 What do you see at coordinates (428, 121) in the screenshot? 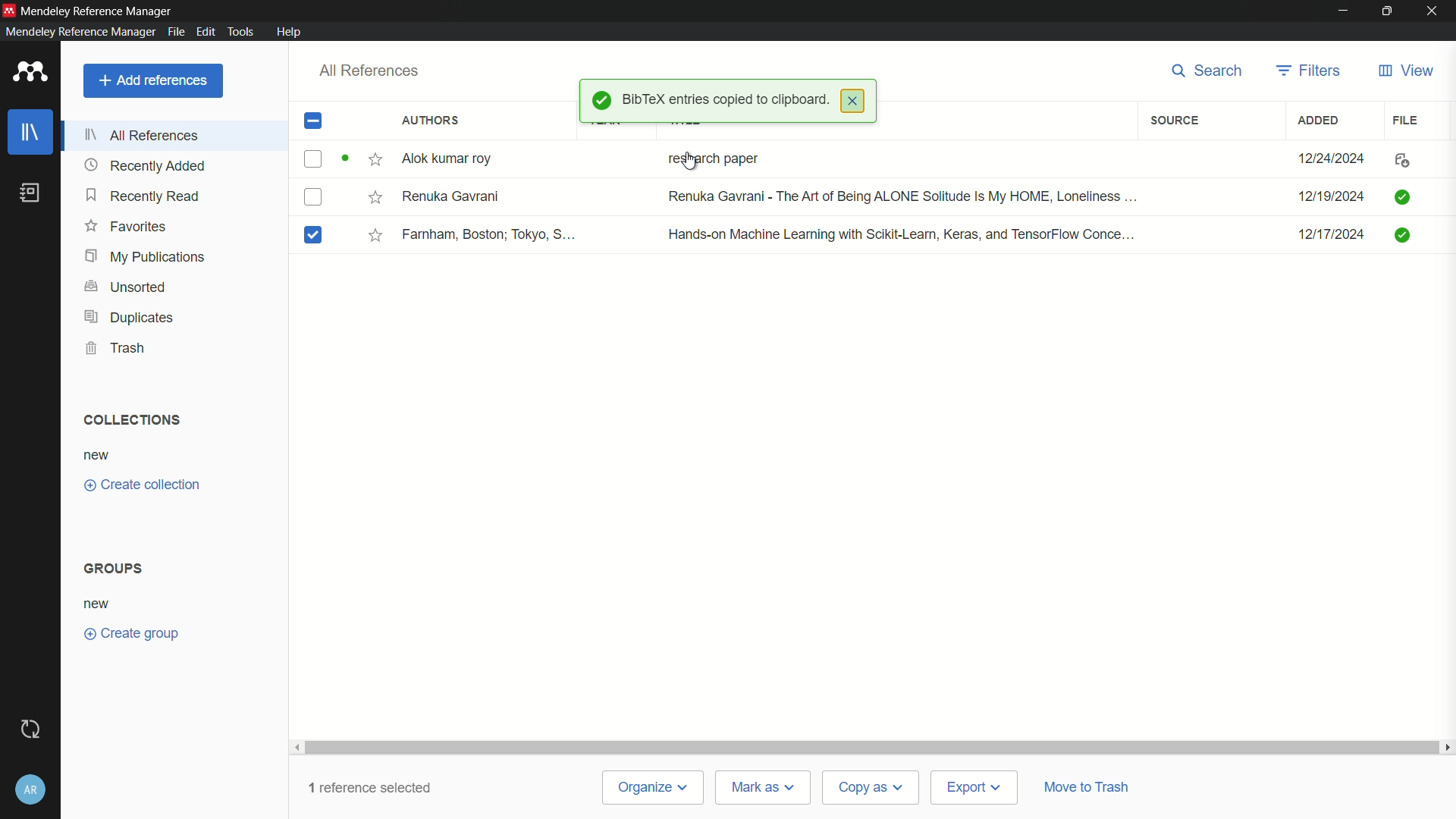
I see `authors` at bounding box center [428, 121].